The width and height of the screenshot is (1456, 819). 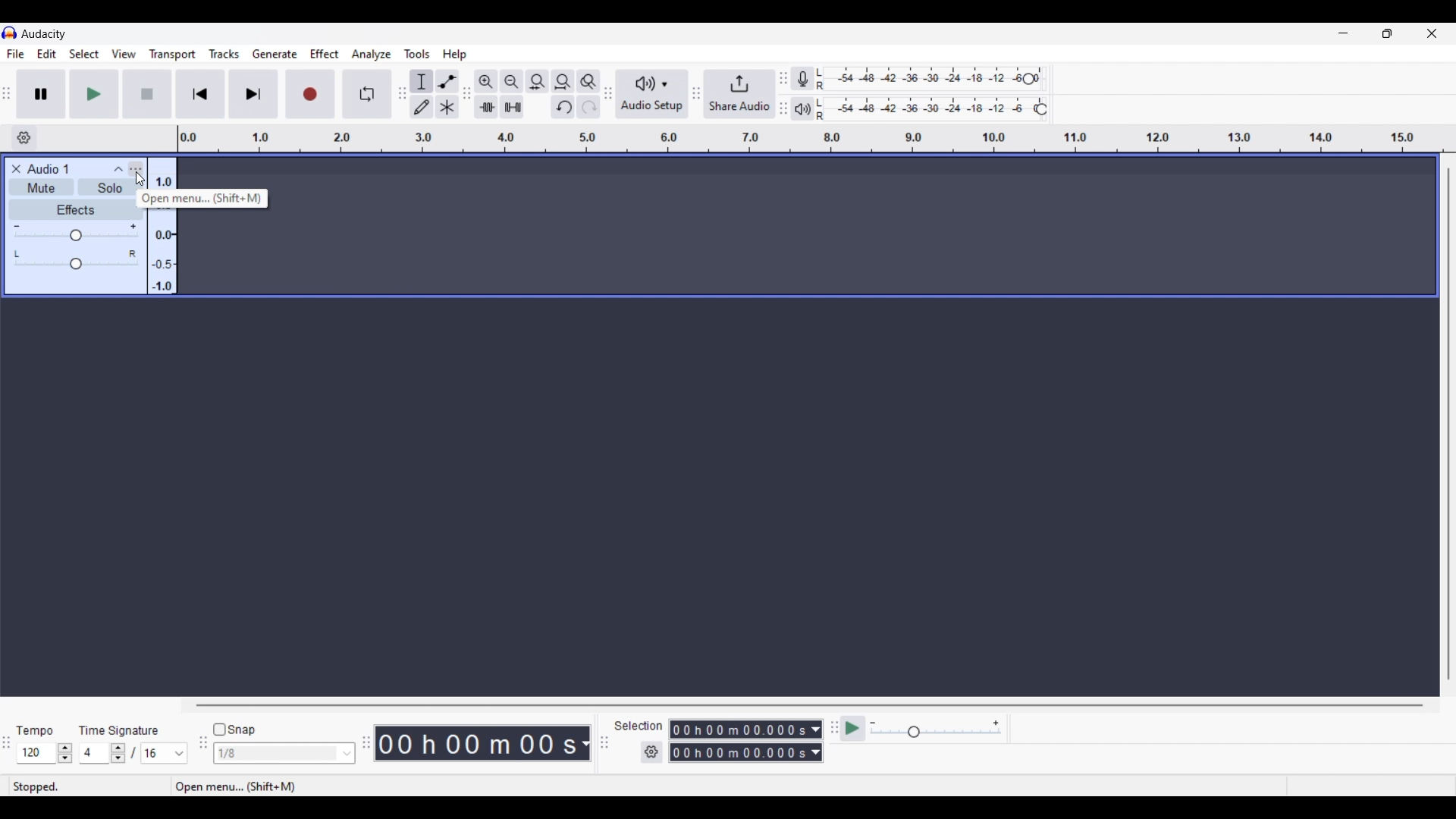 What do you see at coordinates (41, 93) in the screenshot?
I see `Pause` at bounding box center [41, 93].